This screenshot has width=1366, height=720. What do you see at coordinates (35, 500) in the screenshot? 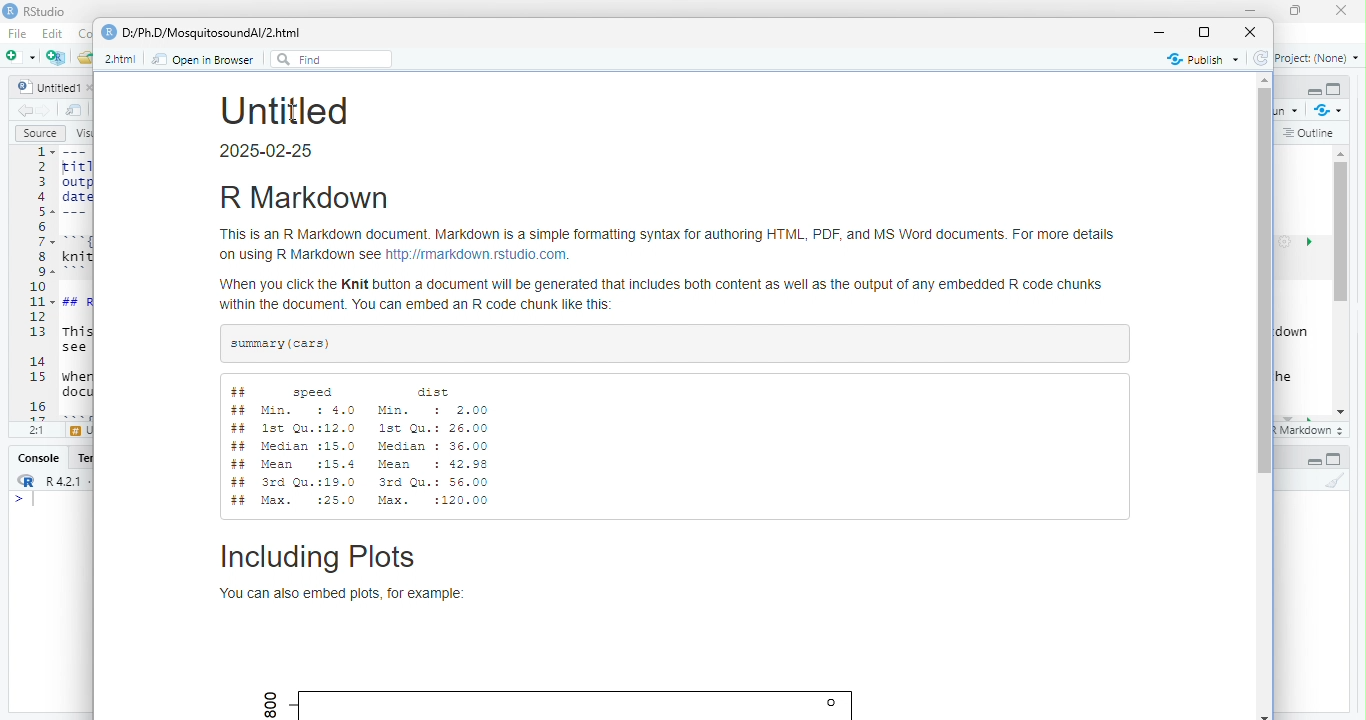
I see `typing indicator` at bounding box center [35, 500].